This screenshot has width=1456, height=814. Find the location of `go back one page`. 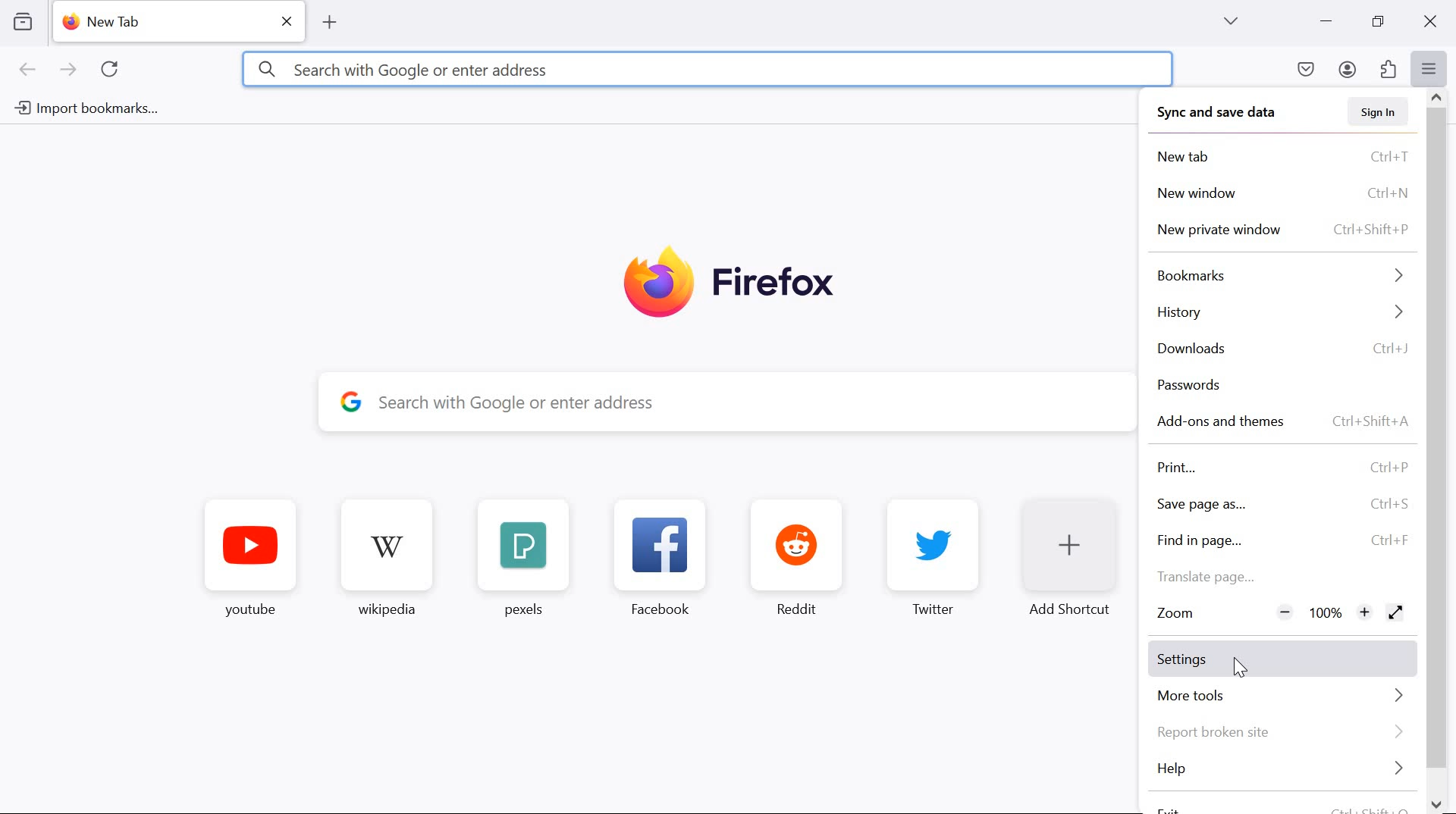

go back one page is located at coordinates (28, 69).